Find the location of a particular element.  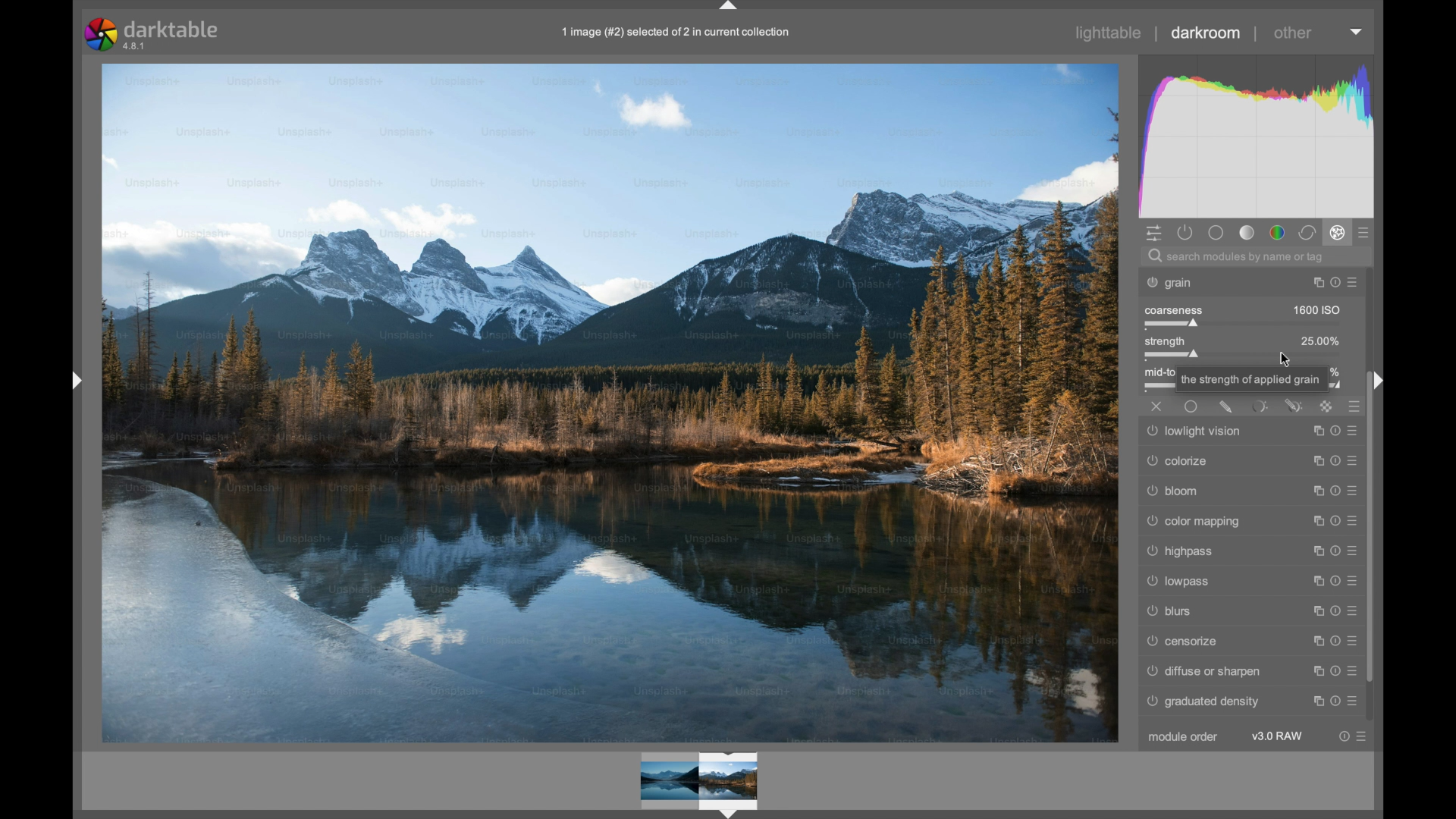

bloom is located at coordinates (1180, 491).